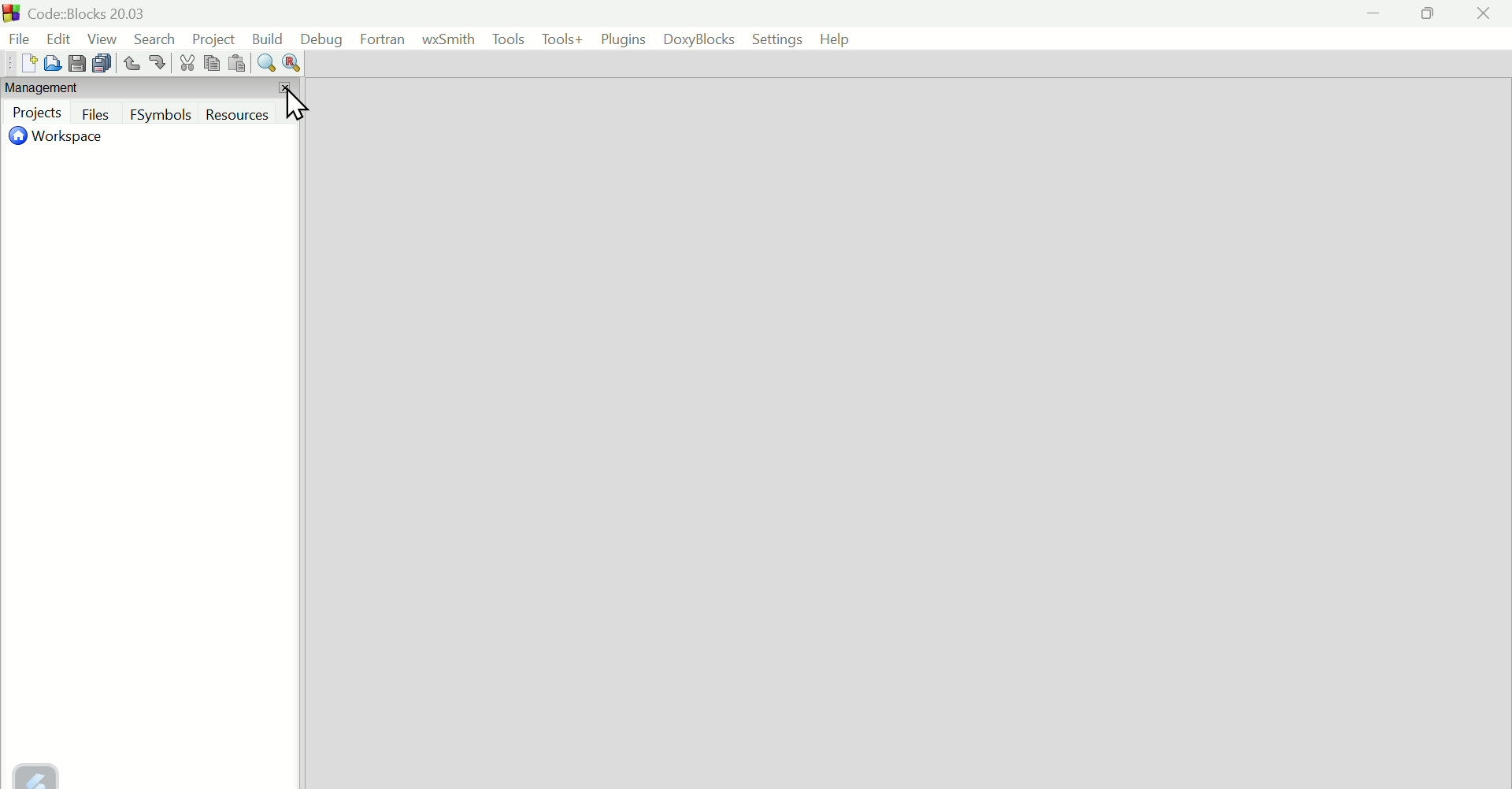  Describe the element at coordinates (265, 62) in the screenshot. I see `Find` at that location.